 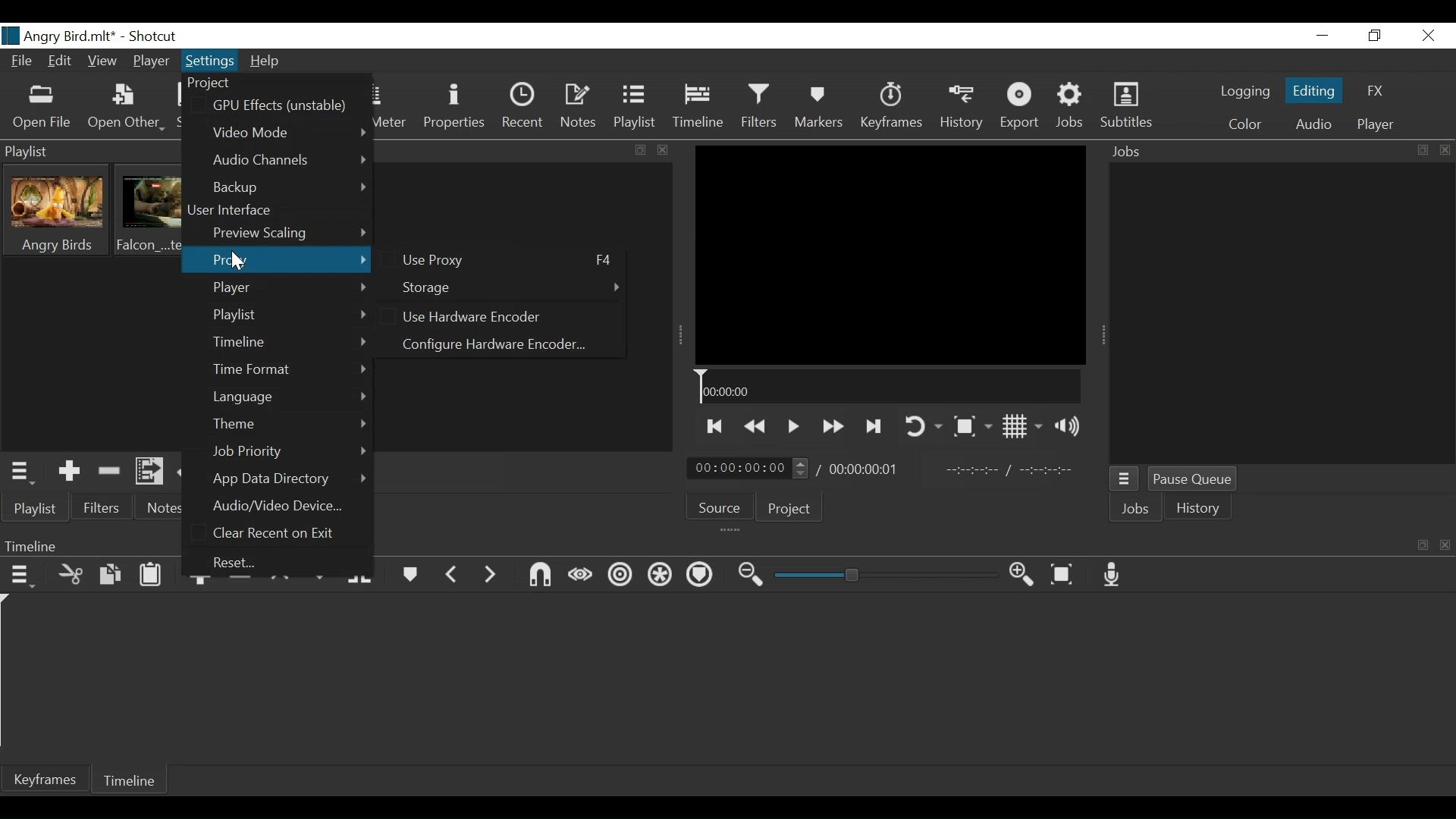 I want to click on Ripple delete, so click(x=238, y=584).